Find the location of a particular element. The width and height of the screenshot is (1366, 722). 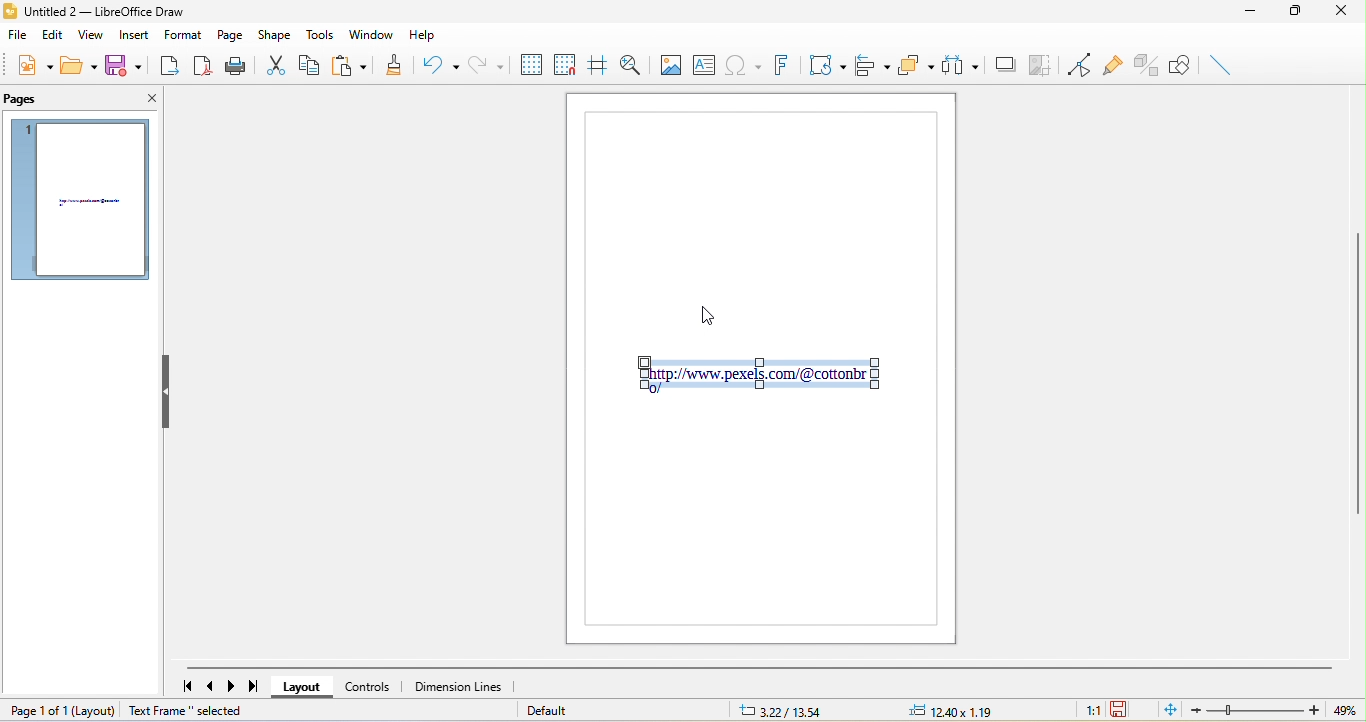

default is located at coordinates (560, 710).